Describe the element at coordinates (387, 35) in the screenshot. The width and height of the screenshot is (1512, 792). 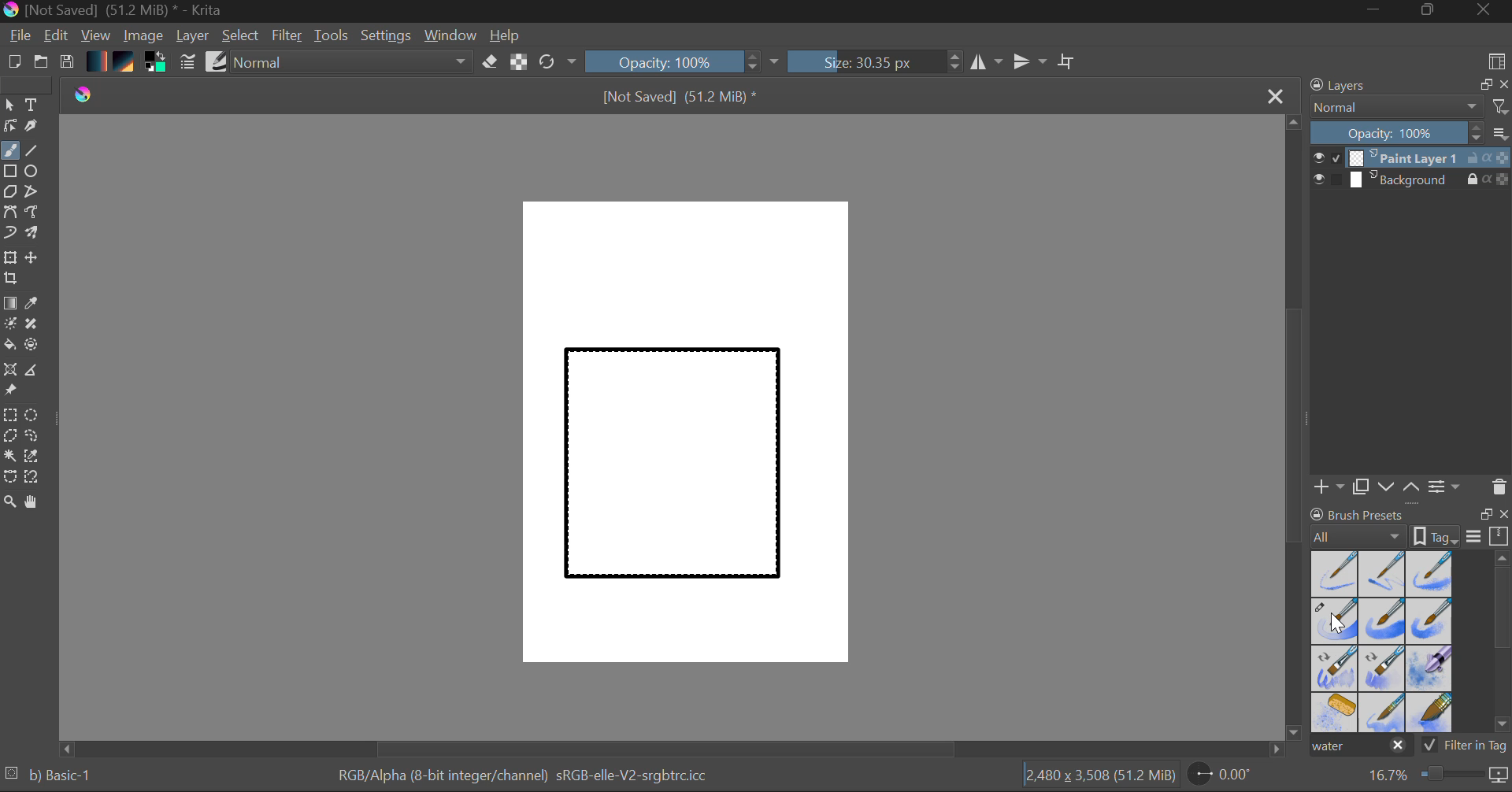
I see `Settings` at that location.